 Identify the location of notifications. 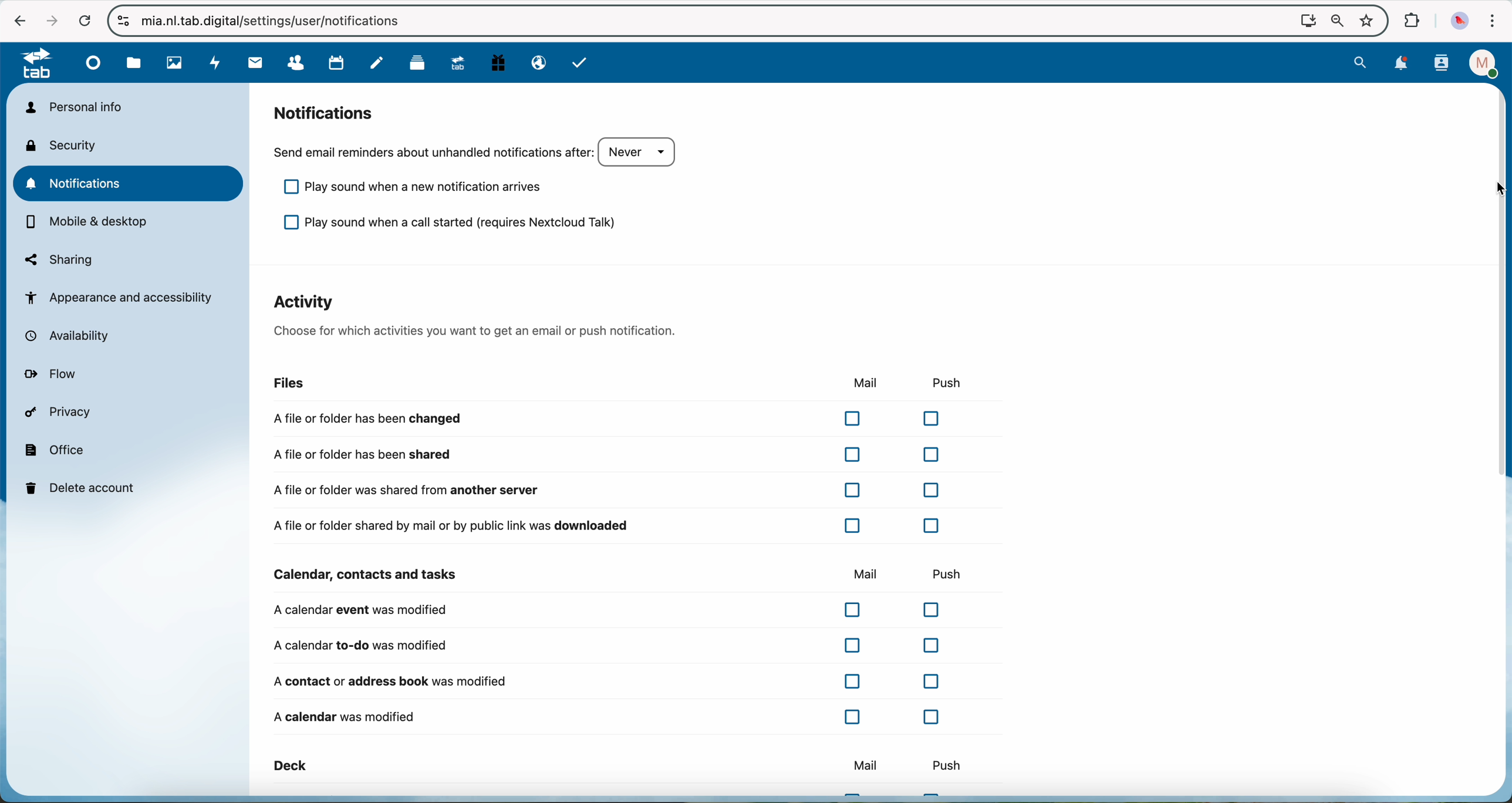
(321, 112).